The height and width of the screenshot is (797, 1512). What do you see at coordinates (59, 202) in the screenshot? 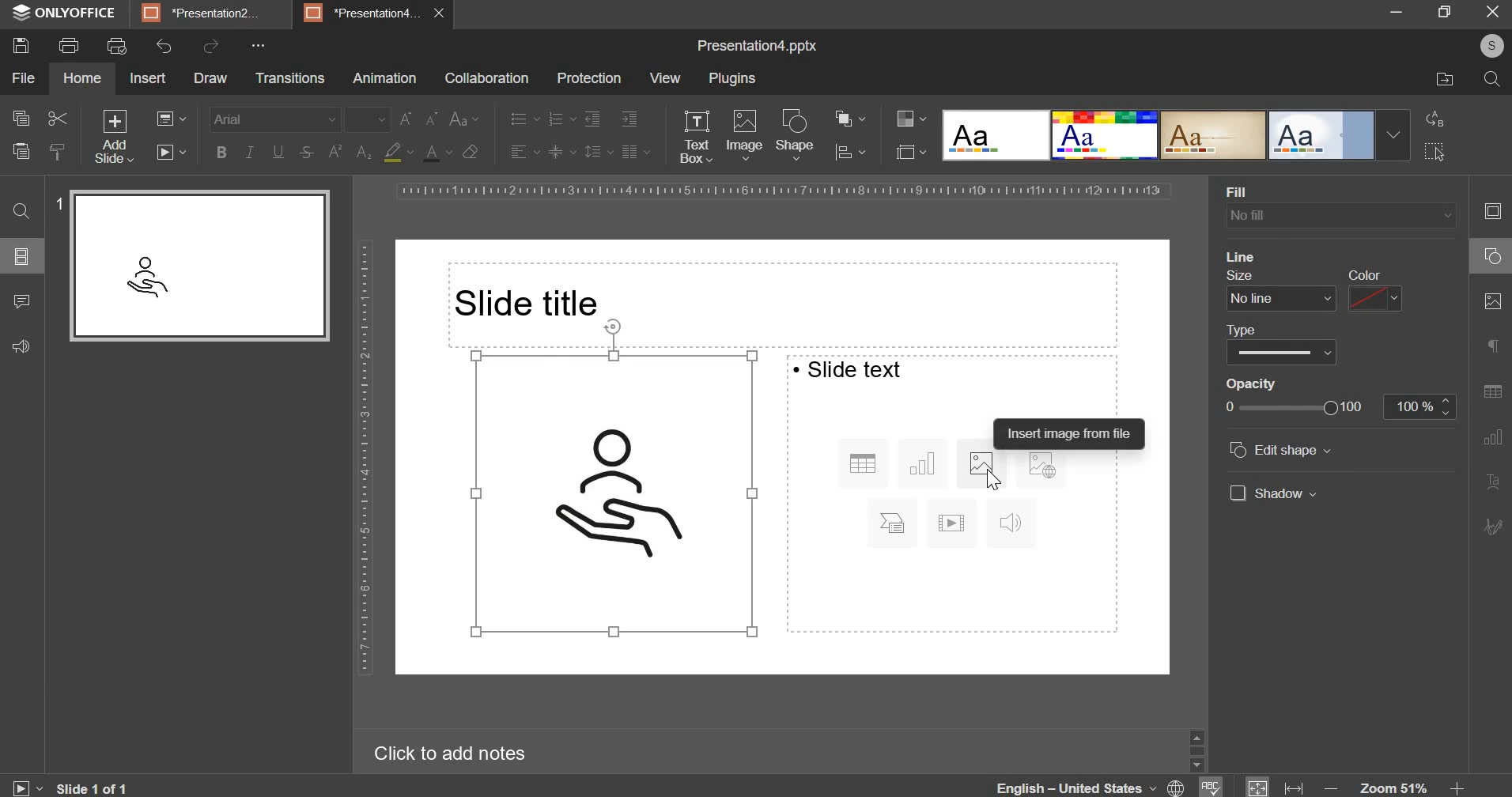
I see `slide number` at bounding box center [59, 202].